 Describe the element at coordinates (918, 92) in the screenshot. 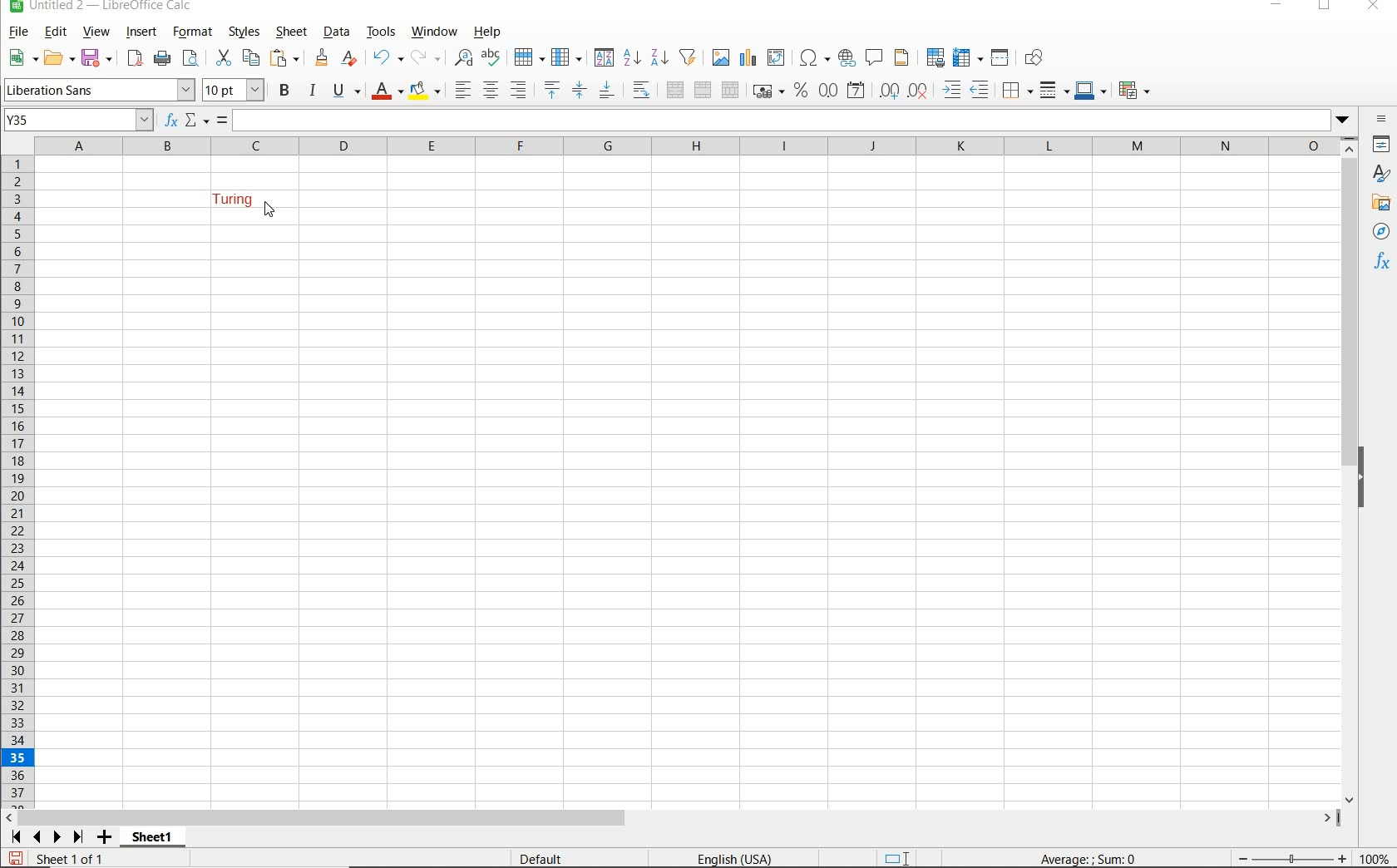

I see `DELETE DECIMAL PLACE` at that location.